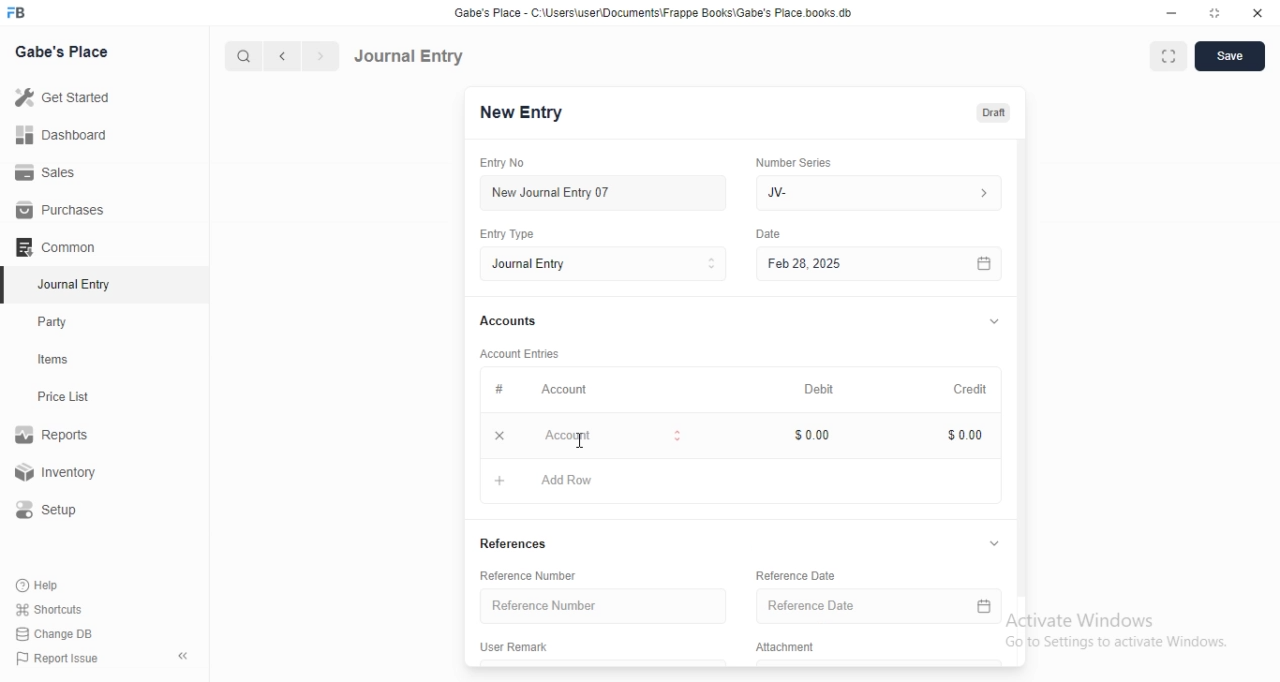  Describe the element at coordinates (59, 135) in the screenshot. I see `Dashboard` at that location.